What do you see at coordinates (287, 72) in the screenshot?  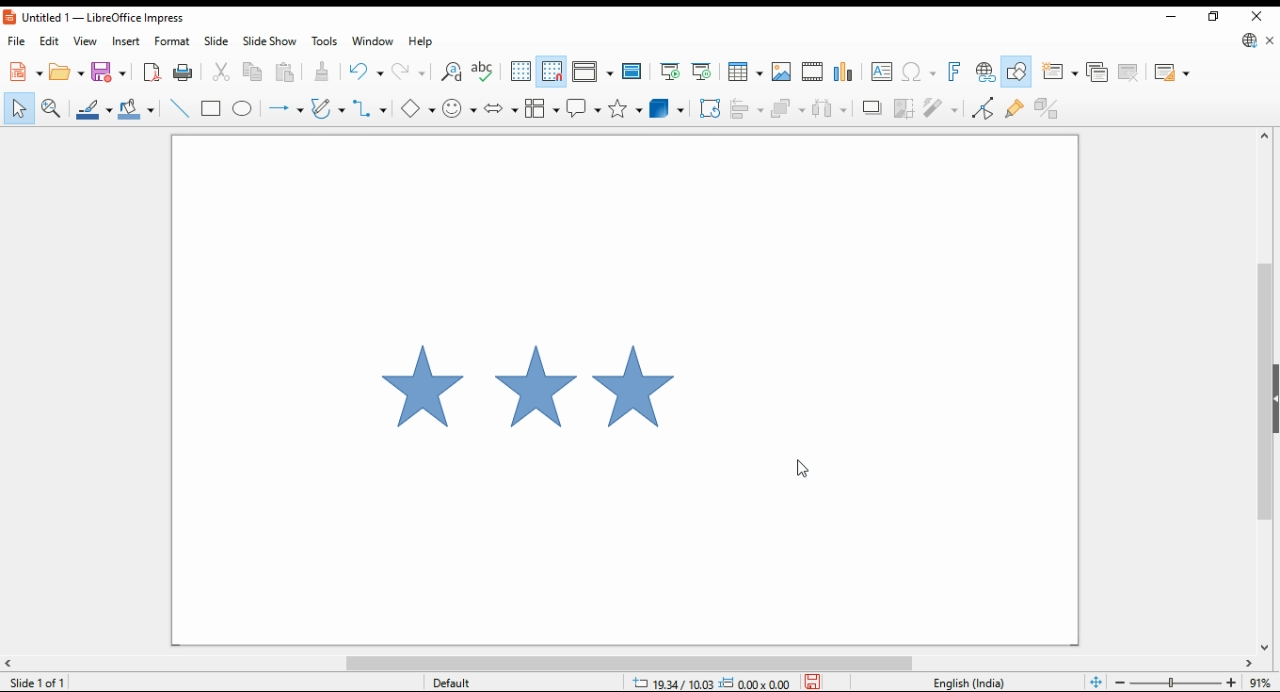 I see `paste` at bounding box center [287, 72].